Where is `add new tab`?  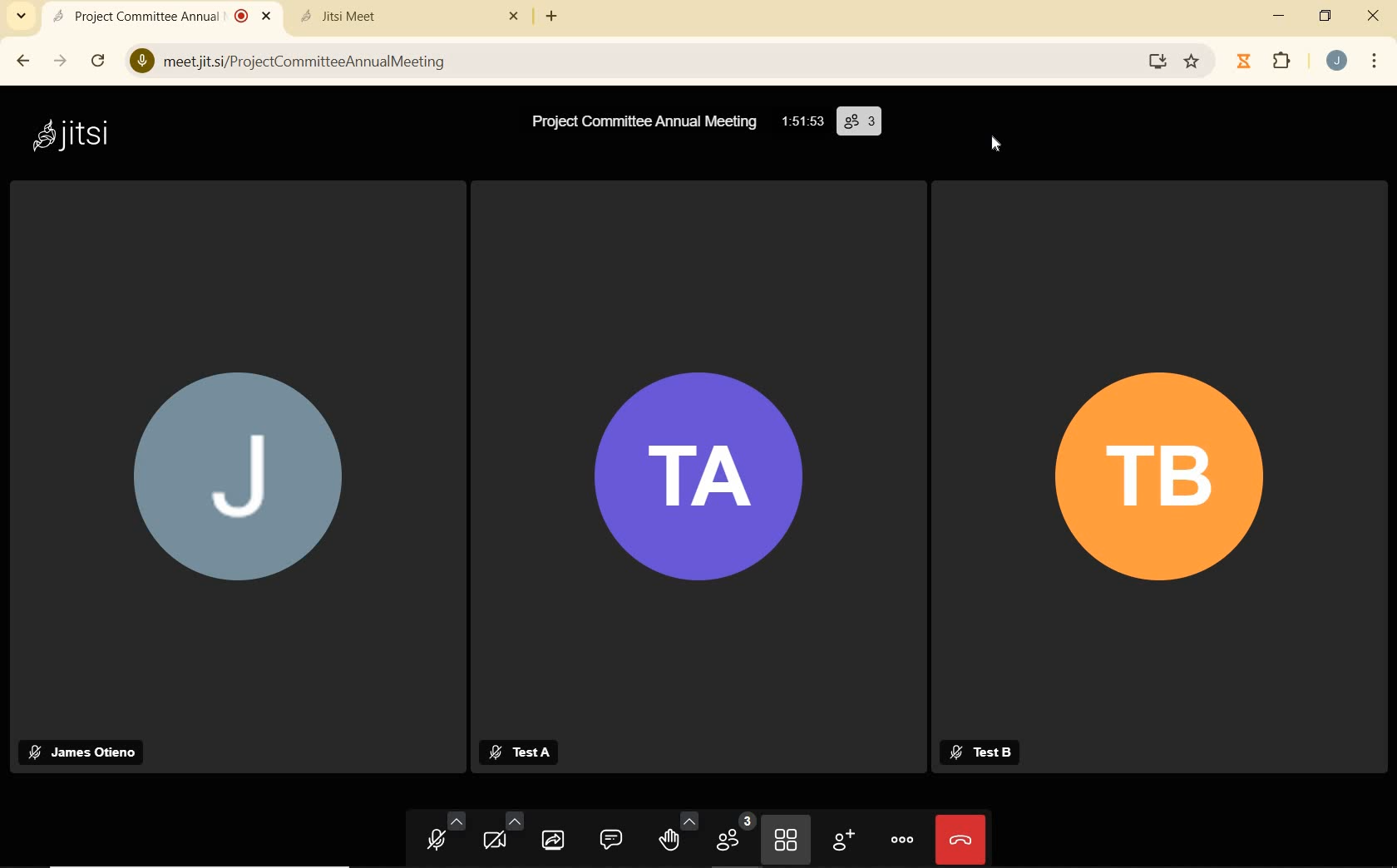 add new tab is located at coordinates (555, 17).